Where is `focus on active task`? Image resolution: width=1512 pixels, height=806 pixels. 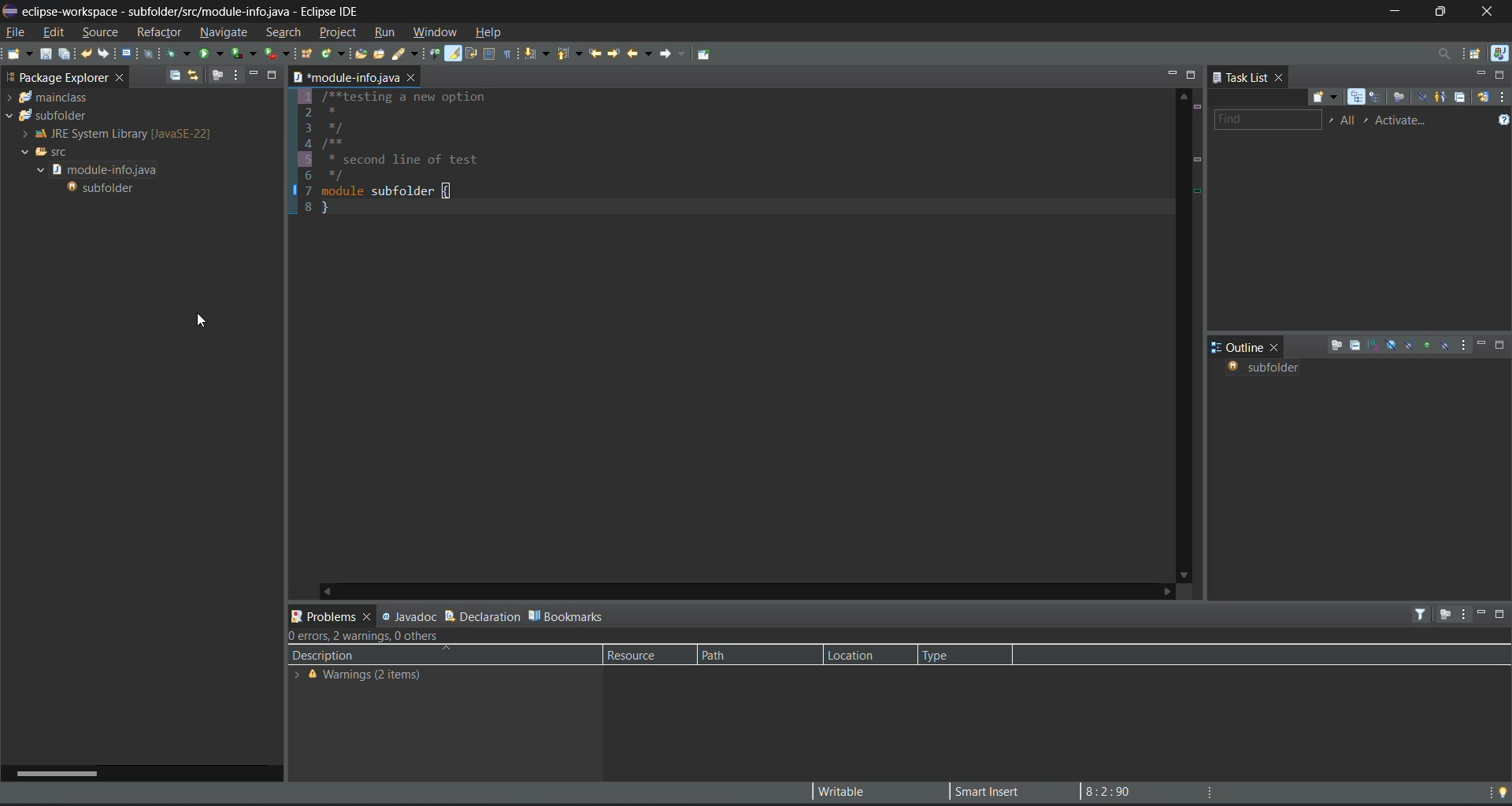
focus on active task is located at coordinates (1443, 616).